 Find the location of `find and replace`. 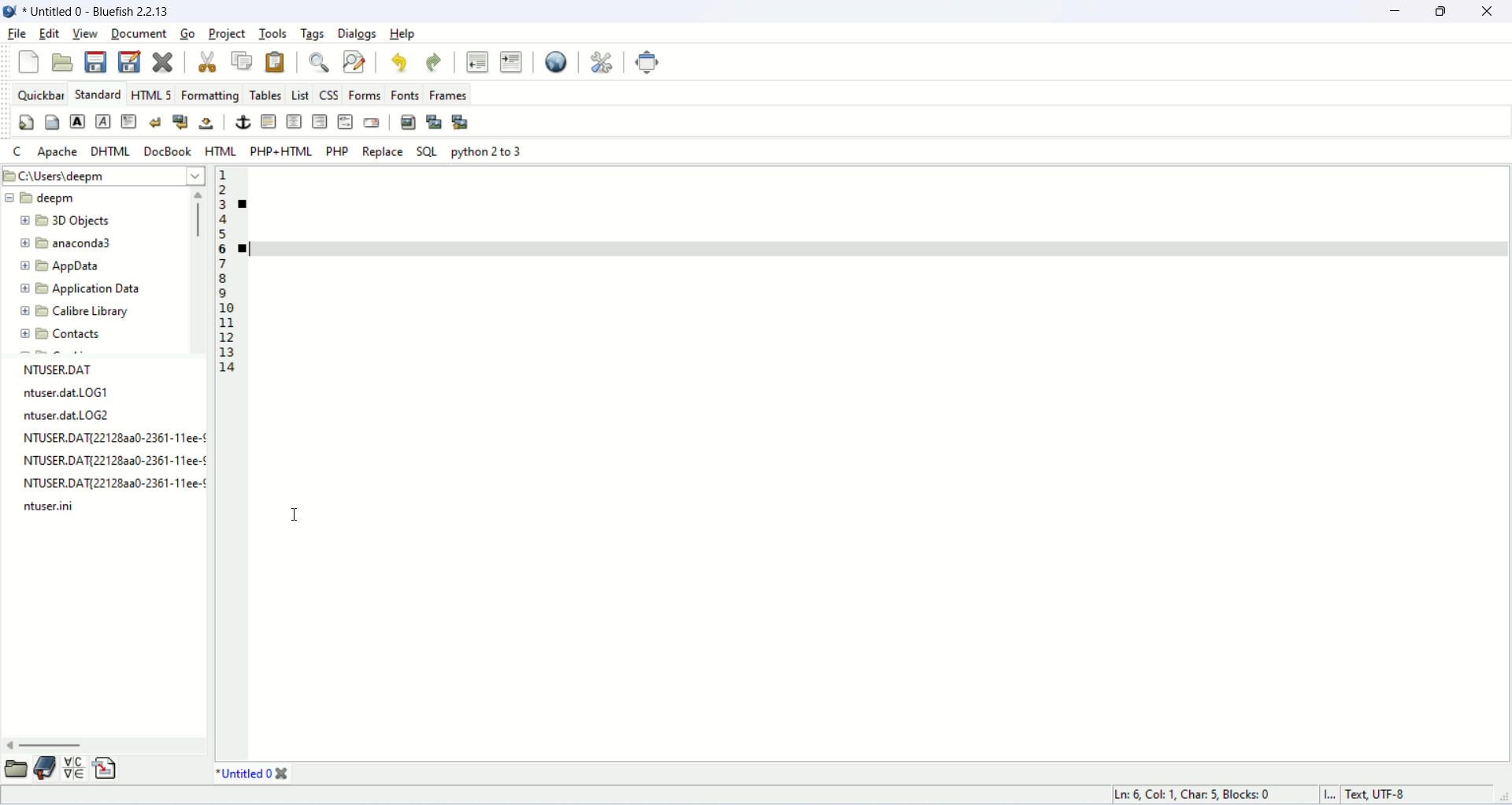

find and replace is located at coordinates (355, 61).